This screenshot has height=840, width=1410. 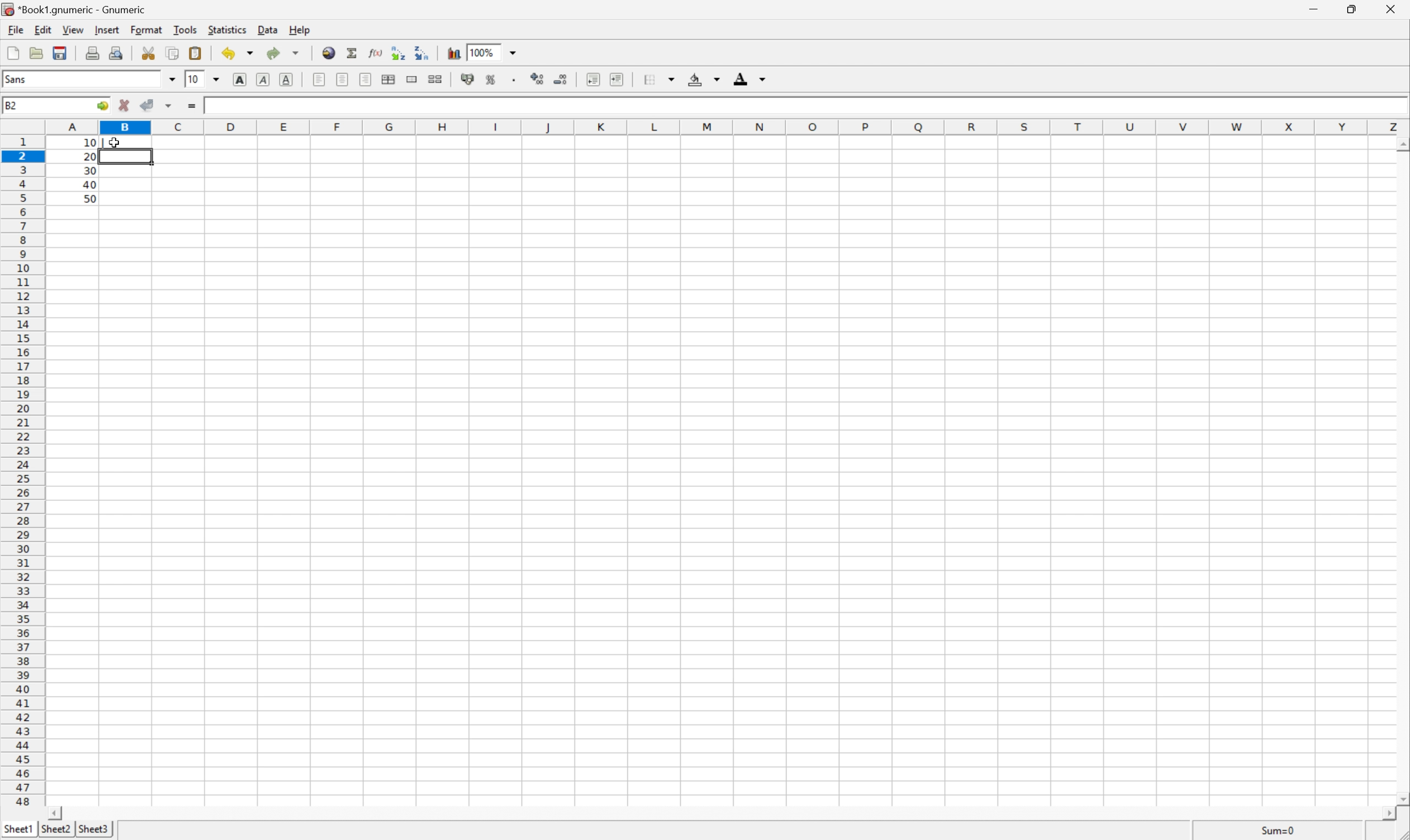 I want to click on Sum in current cell, so click(x=353, y=52).